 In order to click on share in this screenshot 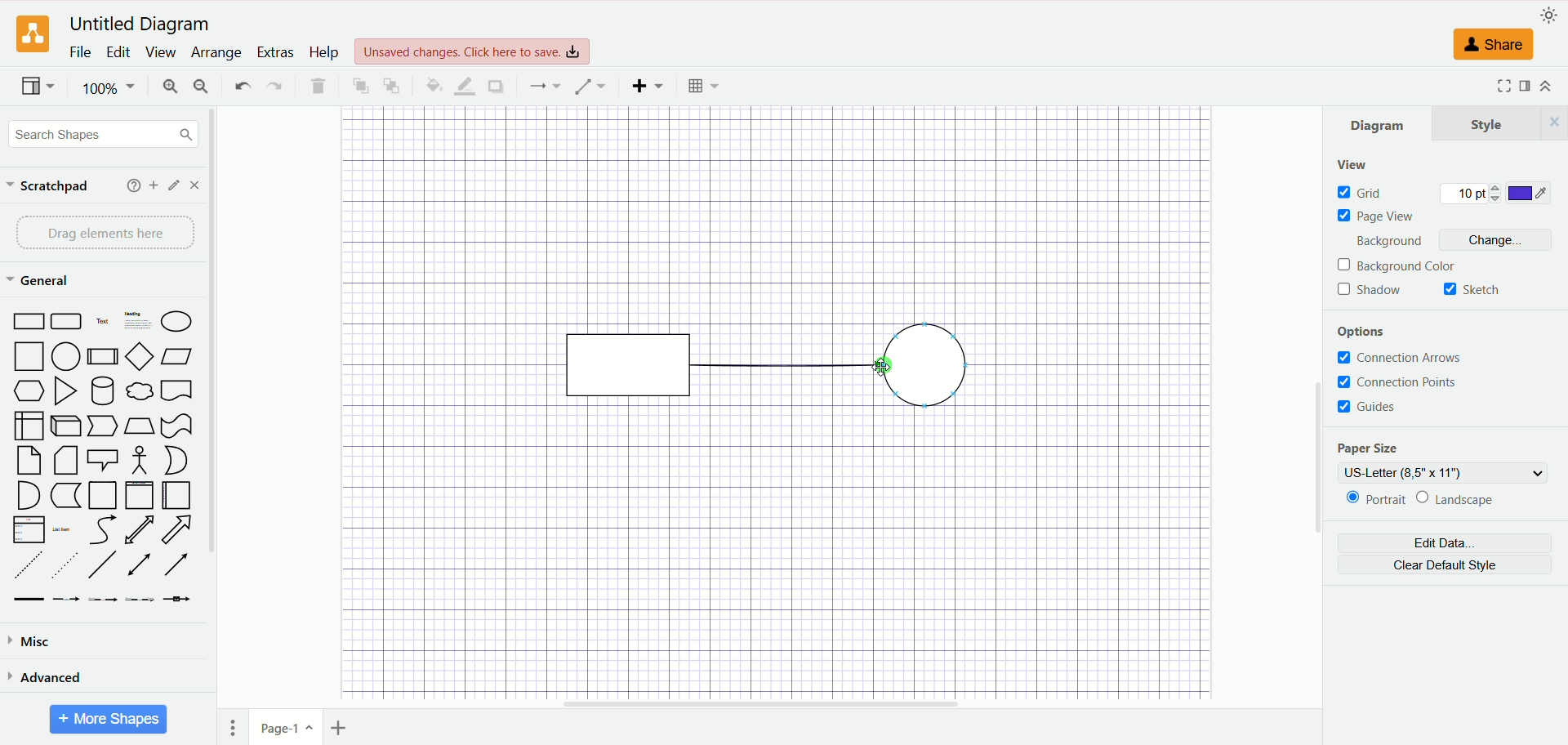, I will do `click(1493, 45)`.